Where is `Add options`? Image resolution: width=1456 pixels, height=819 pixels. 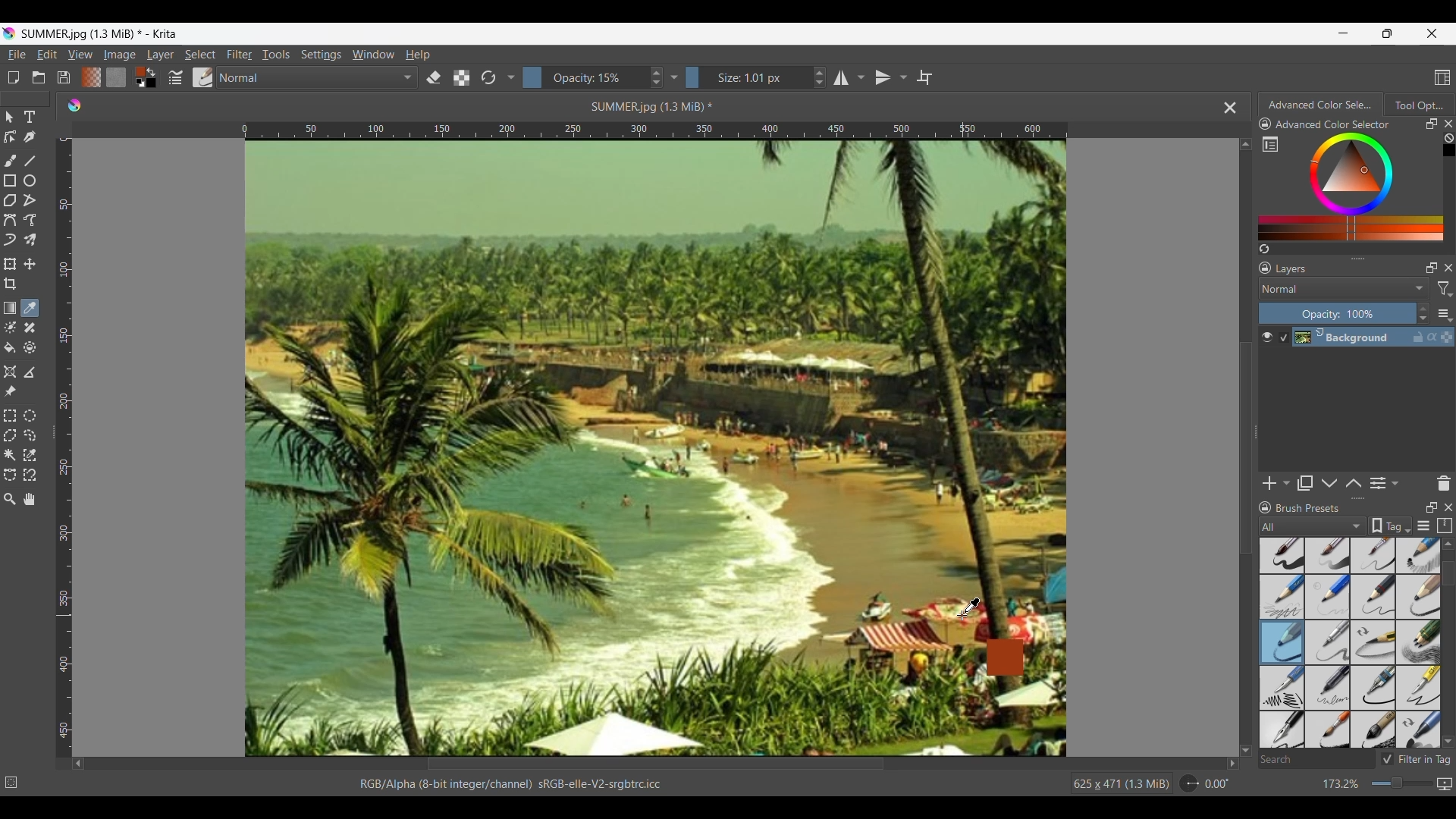
Add options is located at coordinates (1286, 484).